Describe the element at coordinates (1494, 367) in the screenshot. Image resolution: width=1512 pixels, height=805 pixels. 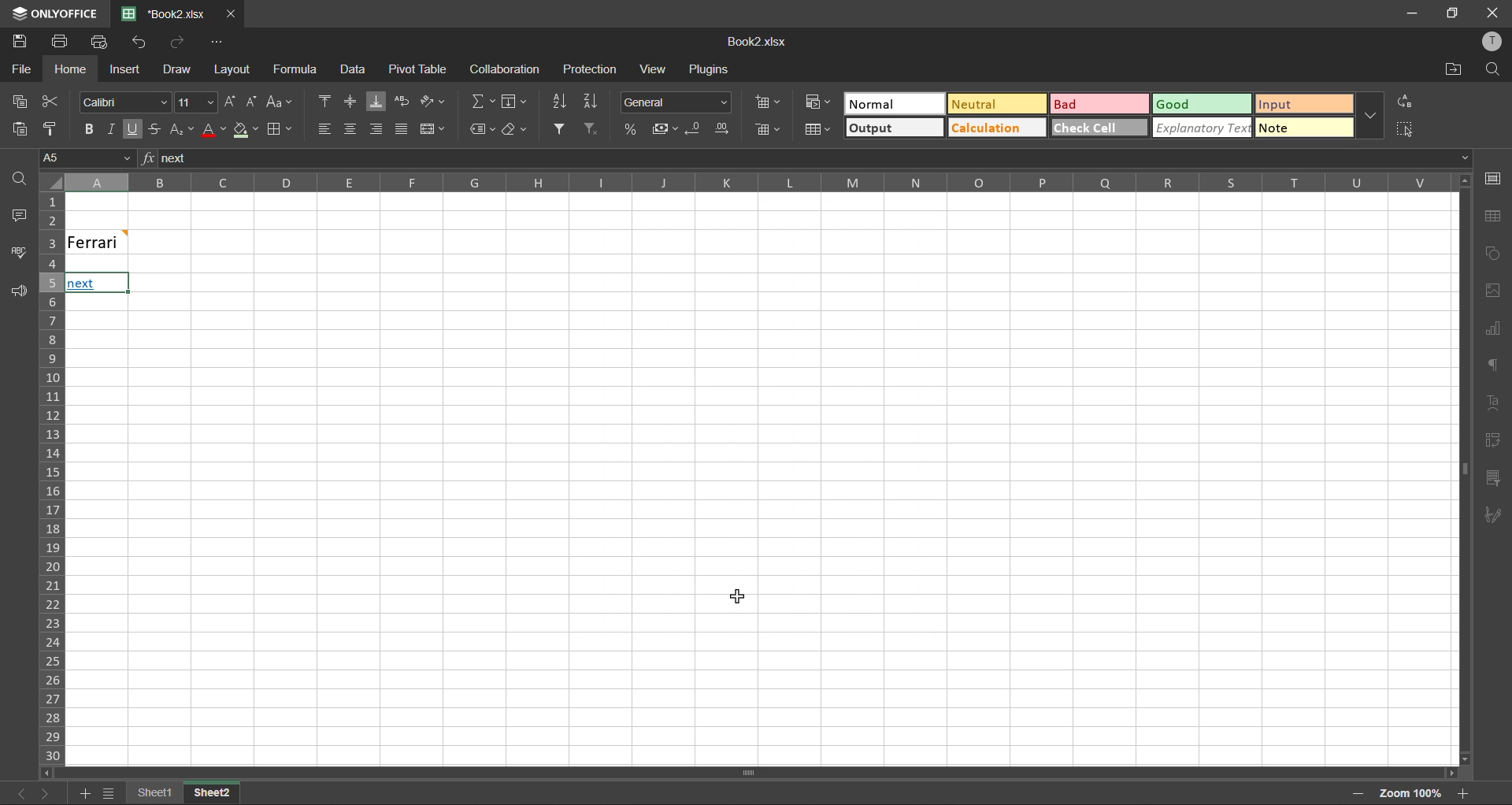
I see `paragraph` at that location.